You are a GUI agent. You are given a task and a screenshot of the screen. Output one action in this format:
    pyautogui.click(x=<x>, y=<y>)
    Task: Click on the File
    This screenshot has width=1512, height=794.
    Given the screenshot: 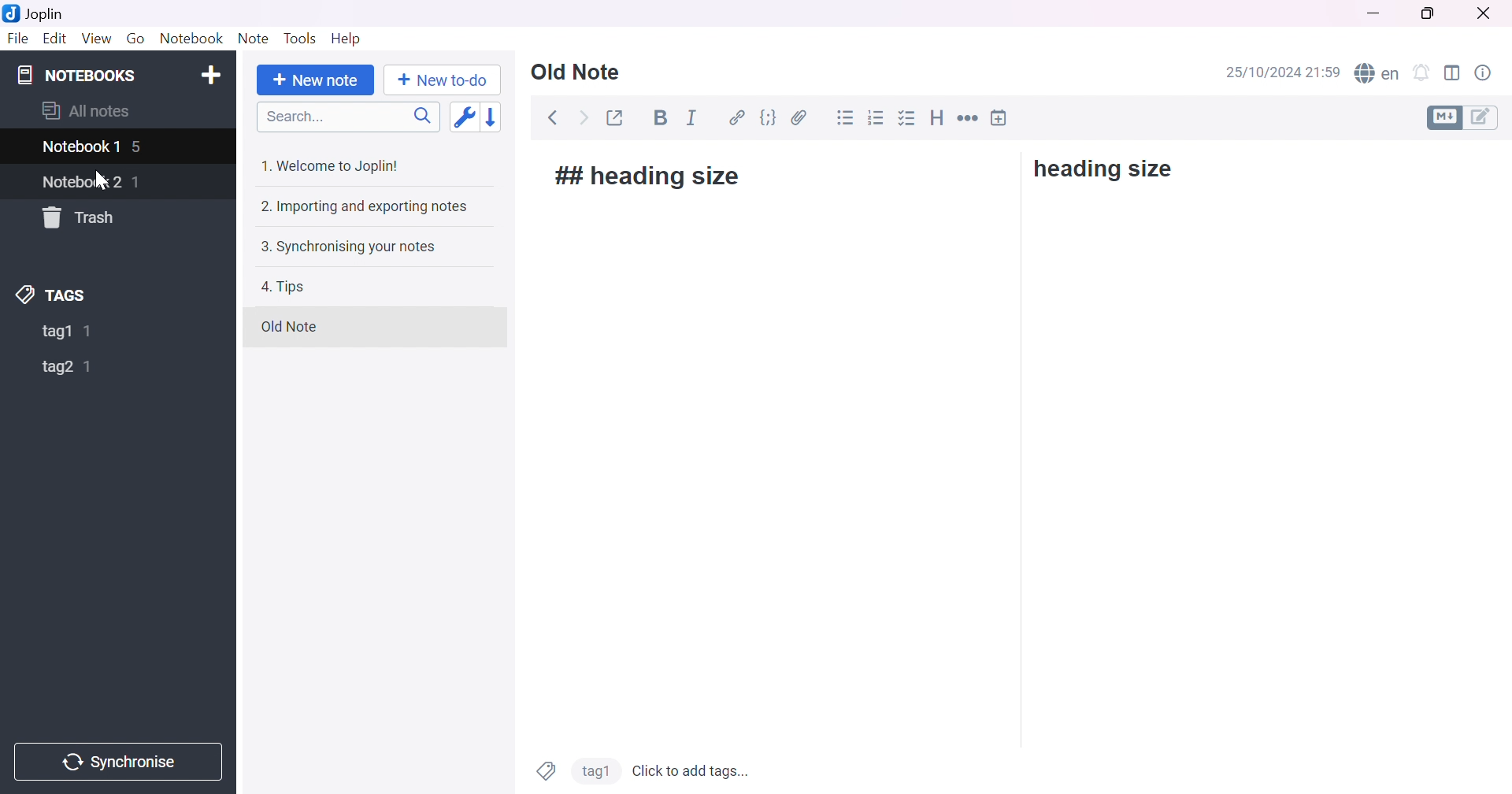 What is the action you would take?
    pyautogui.click(x=16, y=39)
    